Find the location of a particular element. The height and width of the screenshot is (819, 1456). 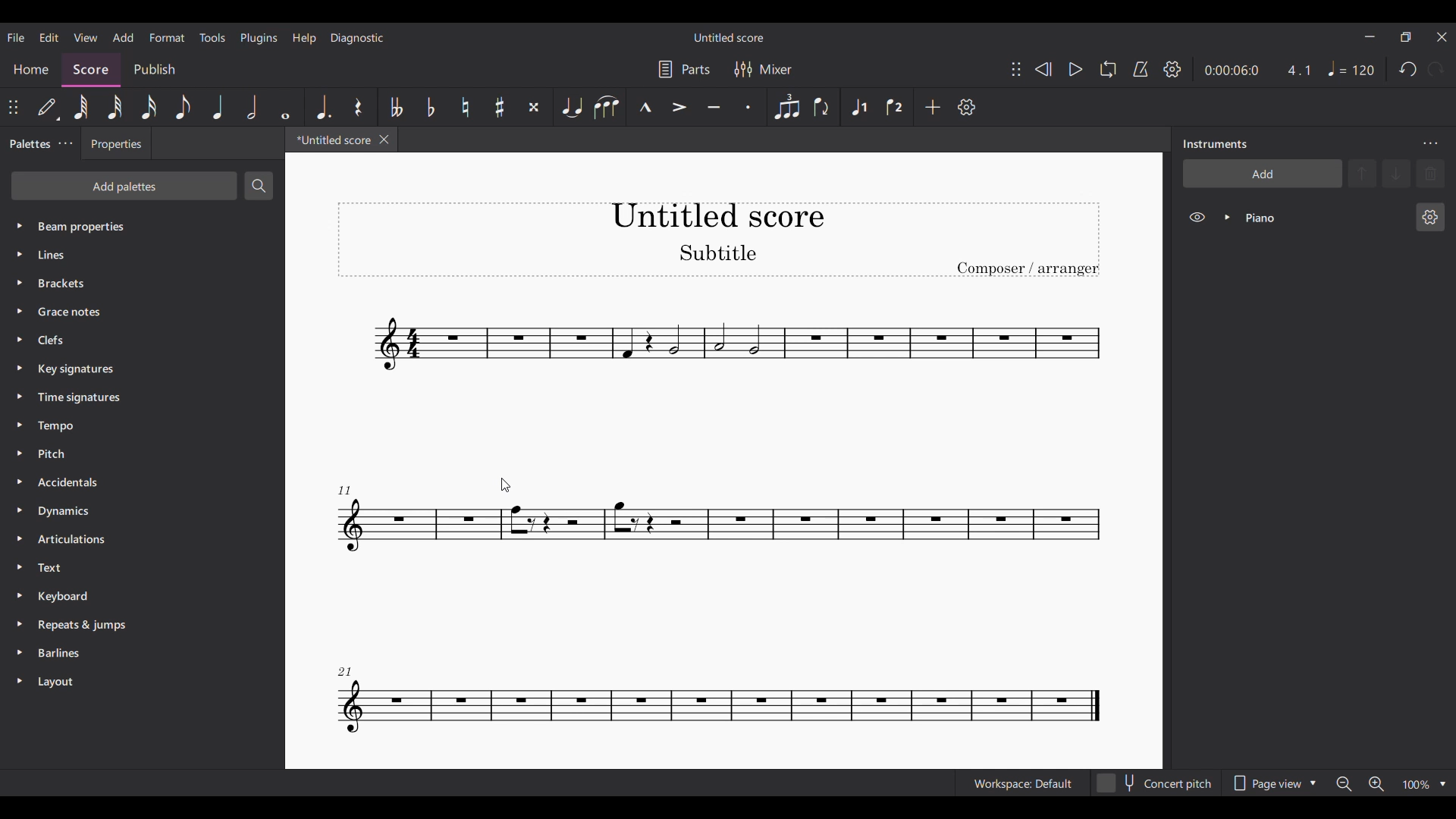

Zoom options is located at coordinates (1443, 784).